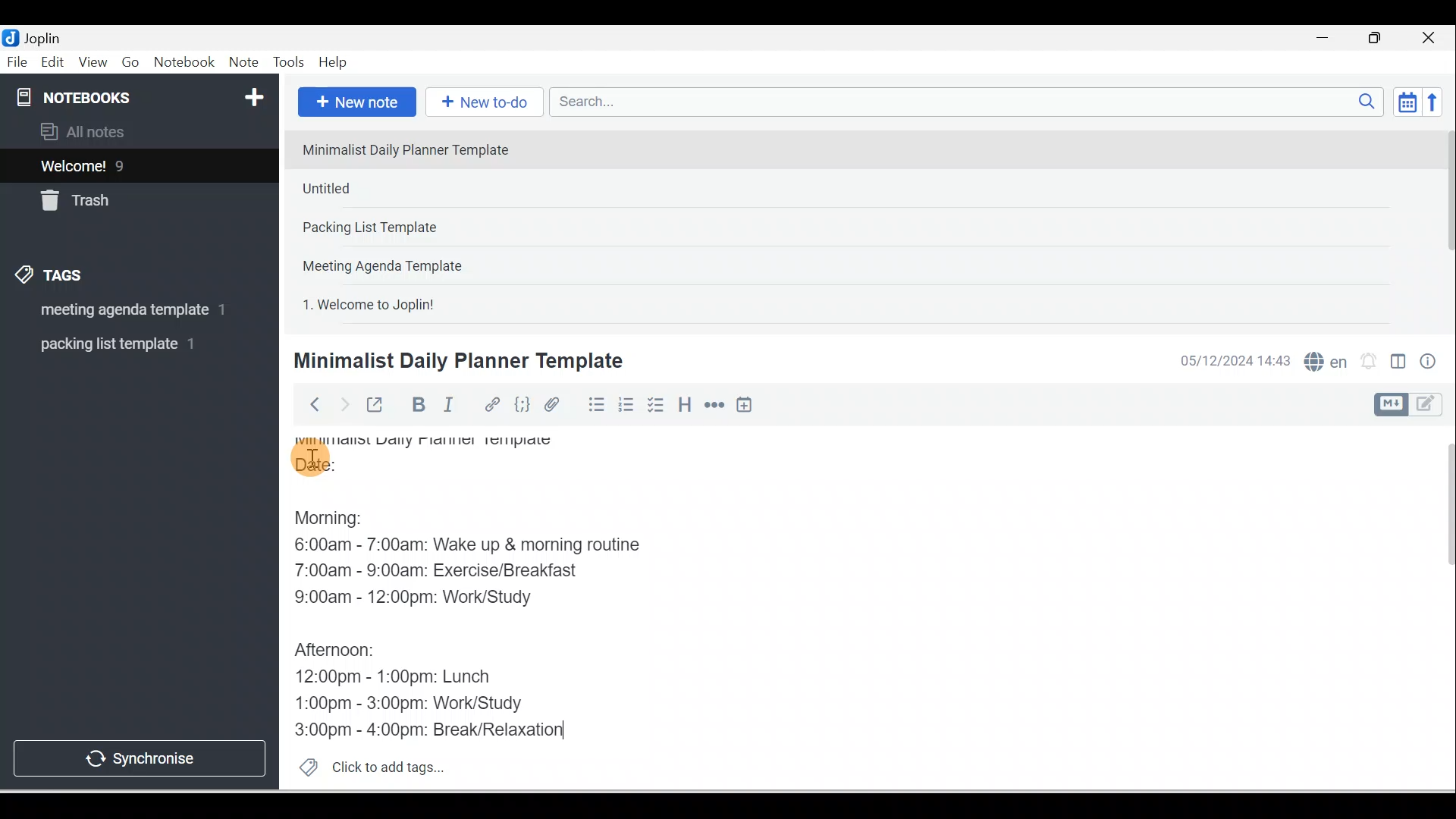 The width and height of the screenshot is (1456, 819). Describe the element at coordinates (354, 103) in the screenshot. I see `New note` at that location.